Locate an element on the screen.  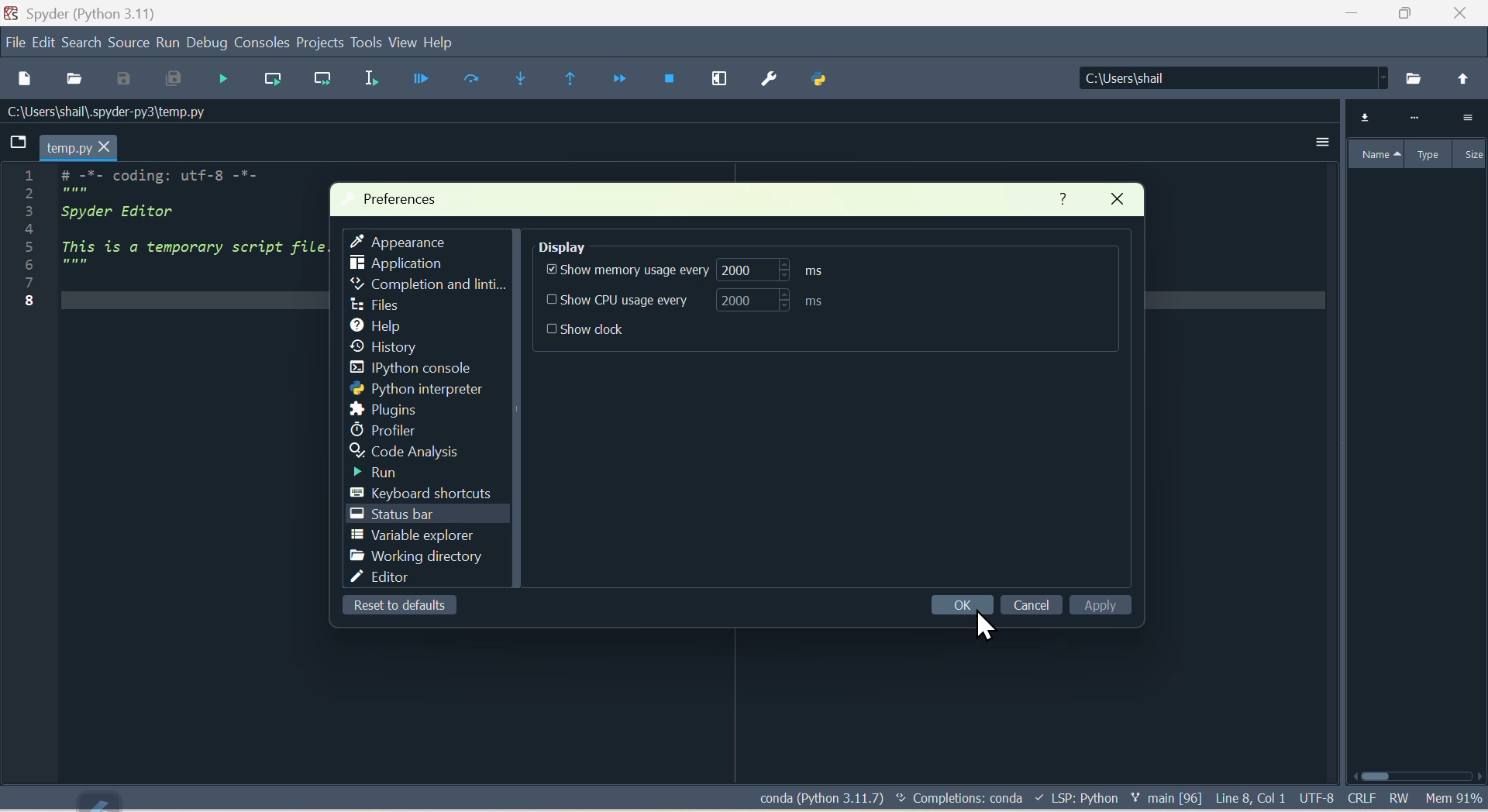
Editor is located at coordinates (380, 577).